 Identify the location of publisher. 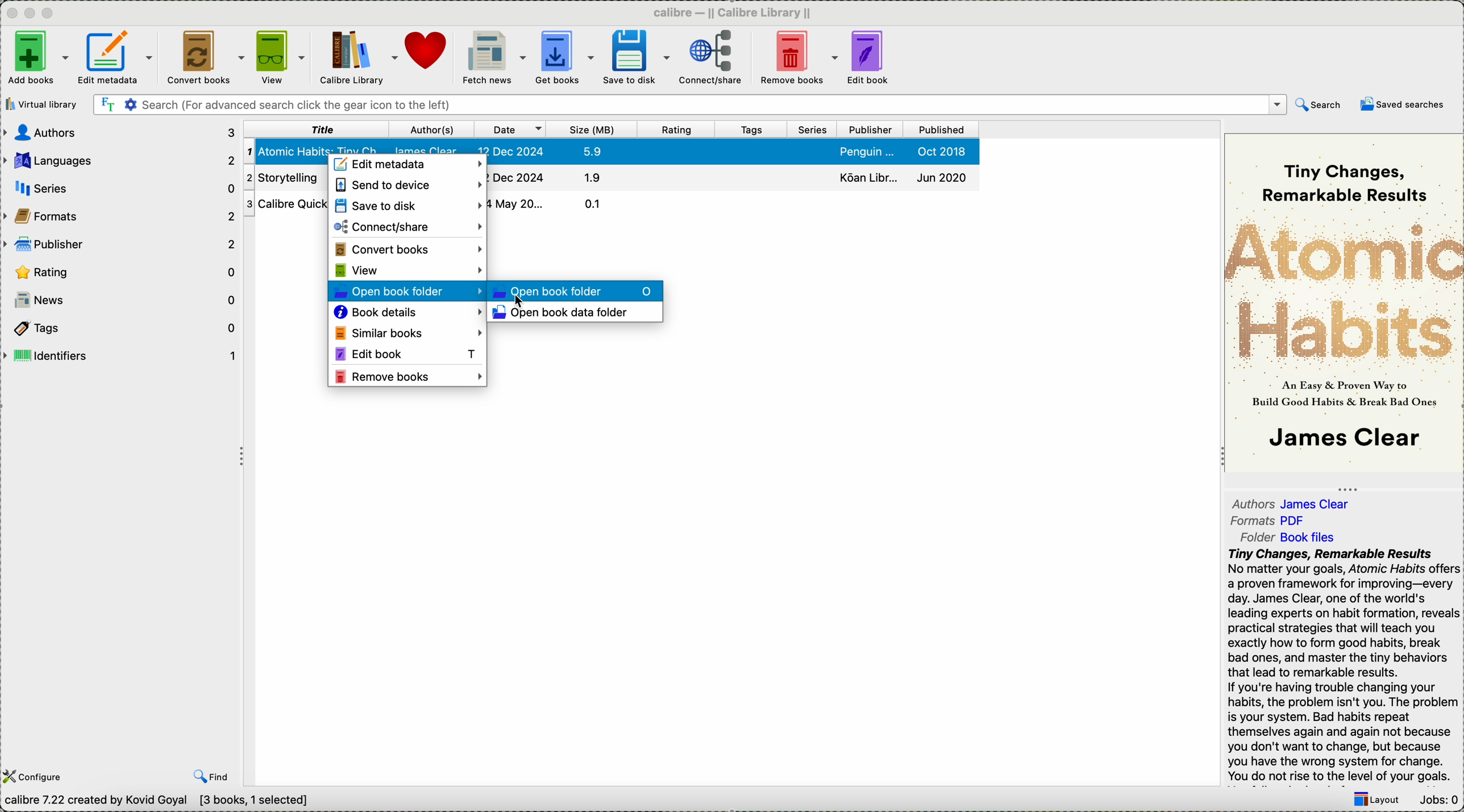
(121, 243).